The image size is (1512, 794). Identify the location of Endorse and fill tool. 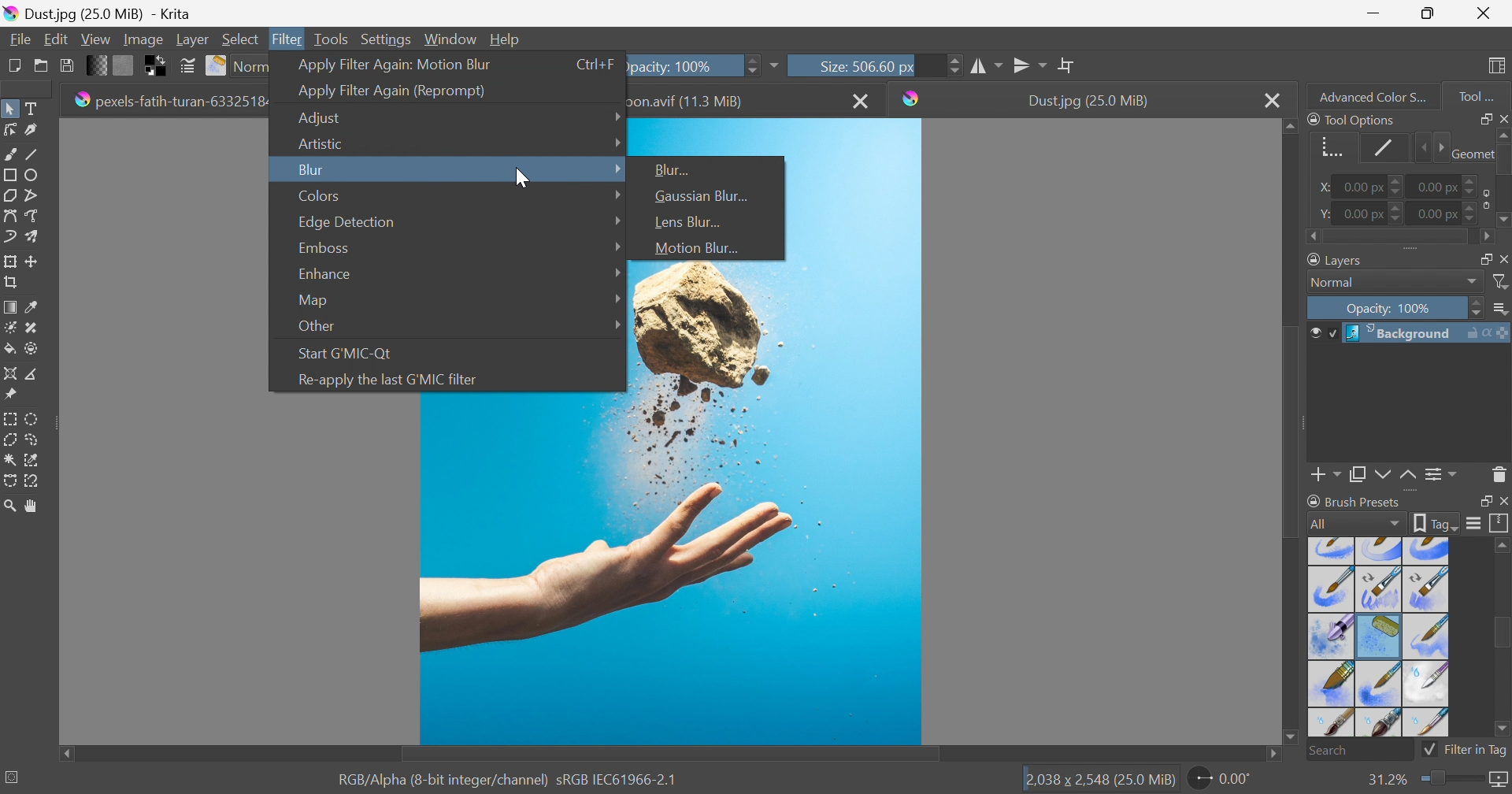
(31, 350).